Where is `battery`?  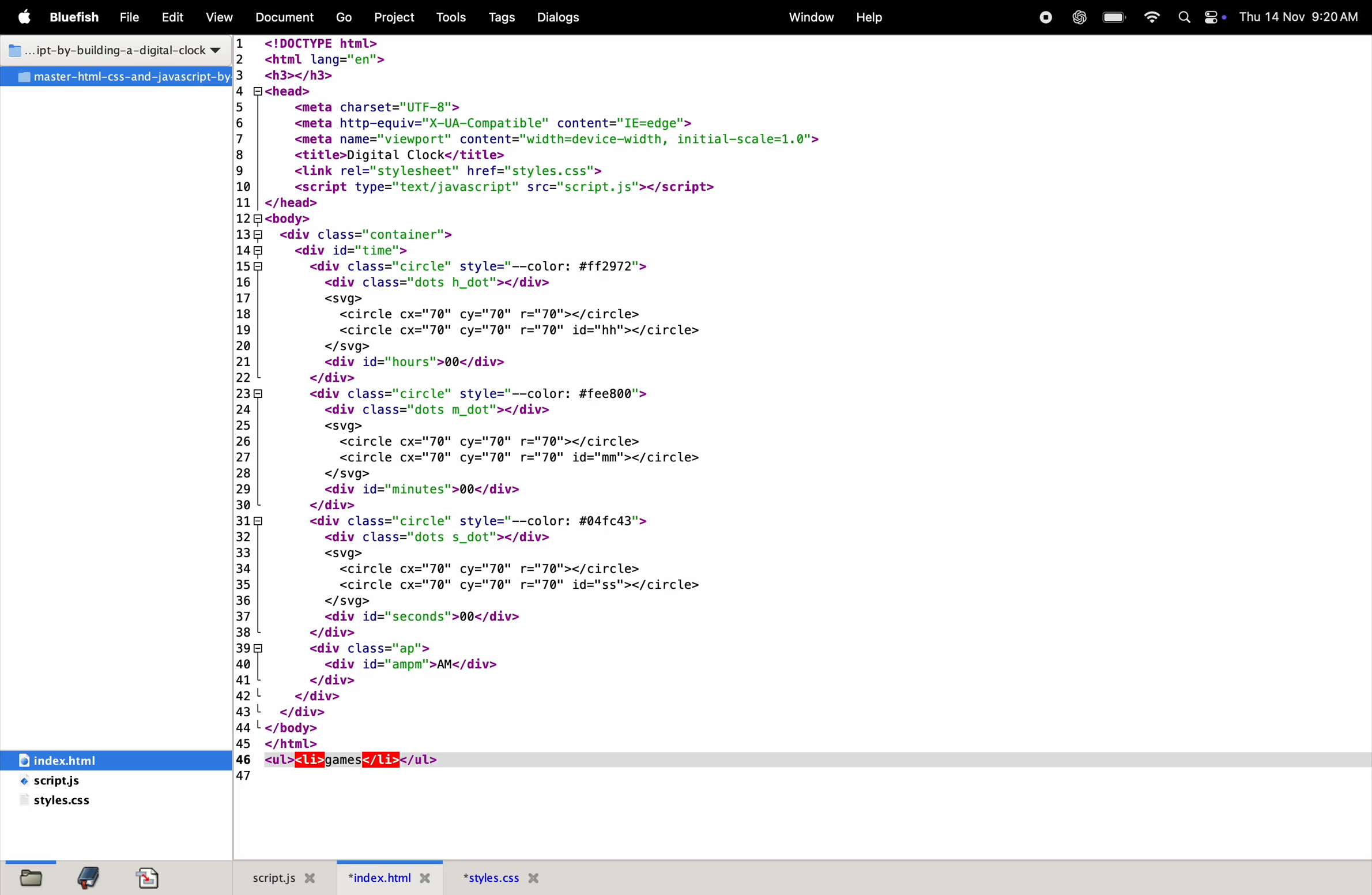 battery is located at coordinates (1113, 18).